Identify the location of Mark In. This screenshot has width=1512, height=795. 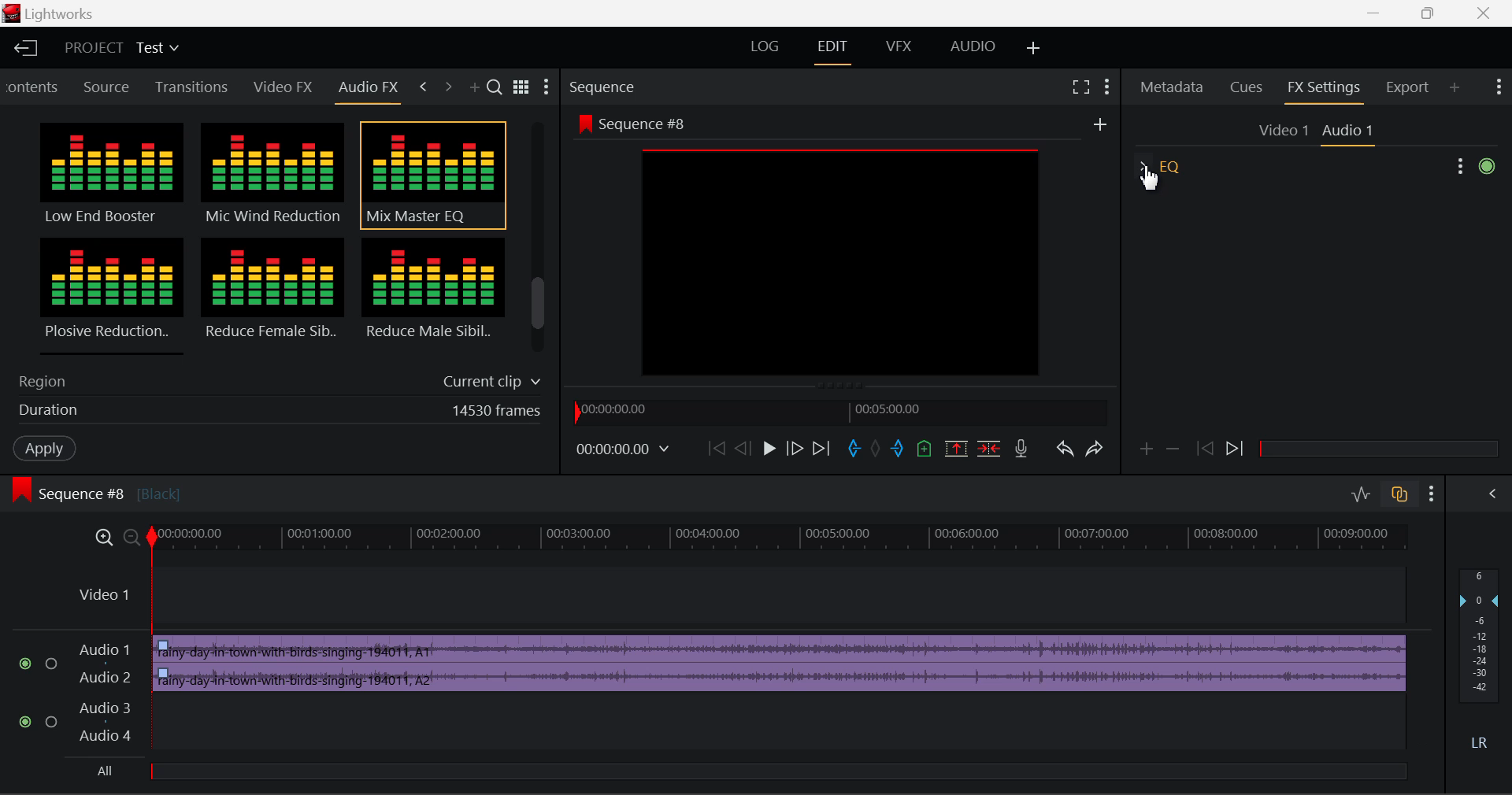
(857, 449).